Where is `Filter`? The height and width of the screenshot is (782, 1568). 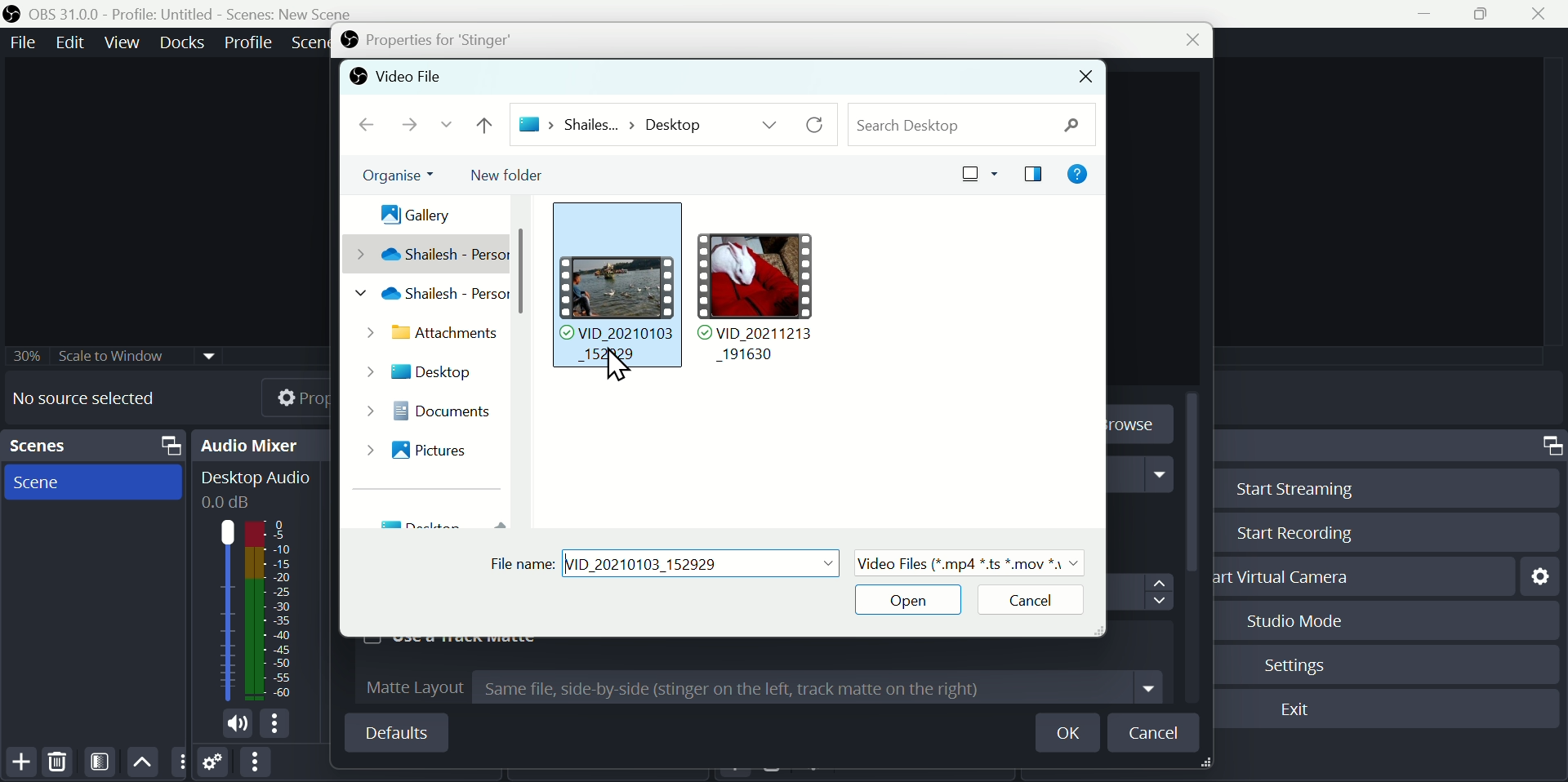 Filter is located at coordinates (103, 762).